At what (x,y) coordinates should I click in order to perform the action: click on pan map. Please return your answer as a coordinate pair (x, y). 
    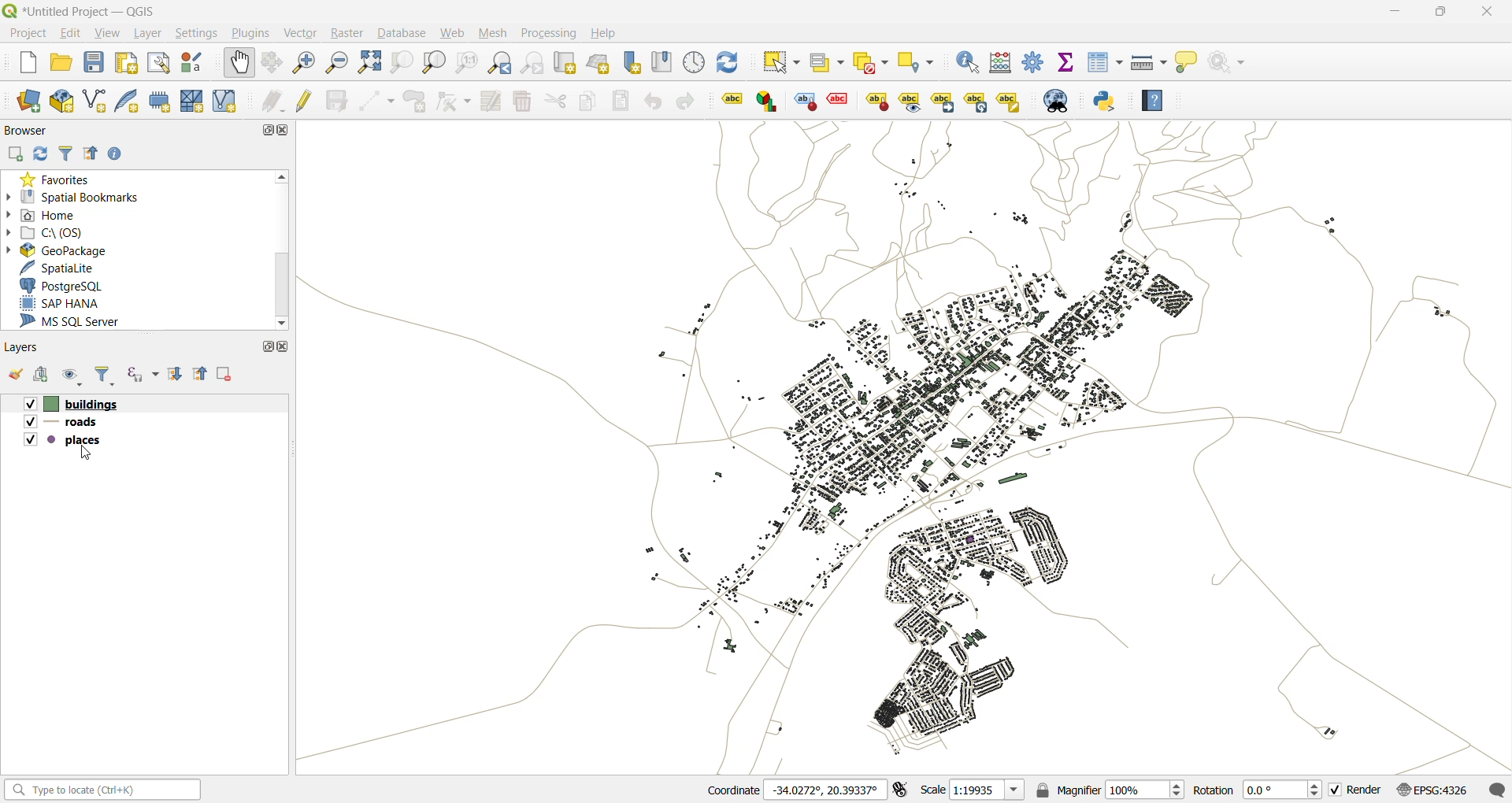
    Looking at the image, I should click on (242, 63).